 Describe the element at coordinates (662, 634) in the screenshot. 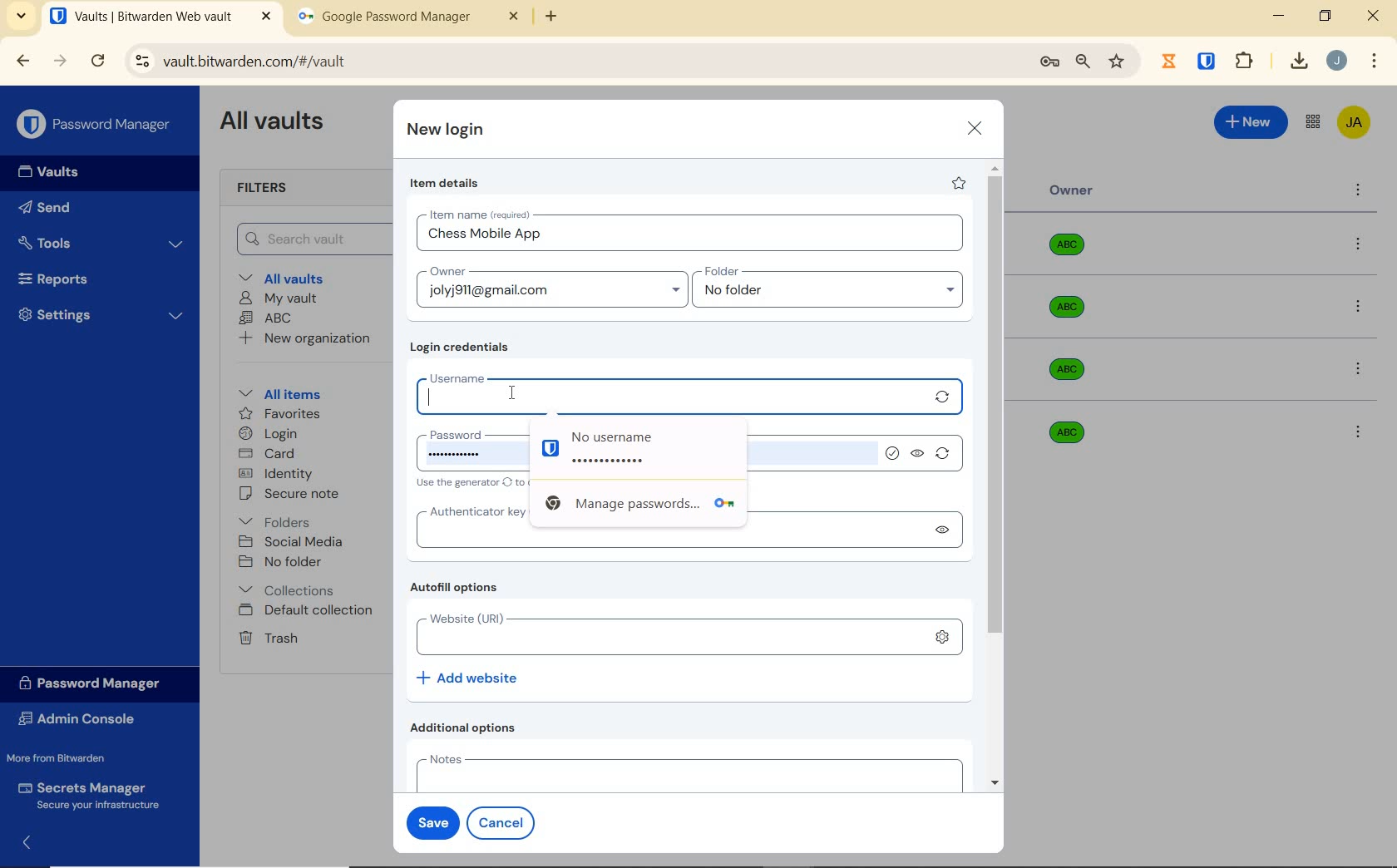

I see `Website (URL)` at that location.